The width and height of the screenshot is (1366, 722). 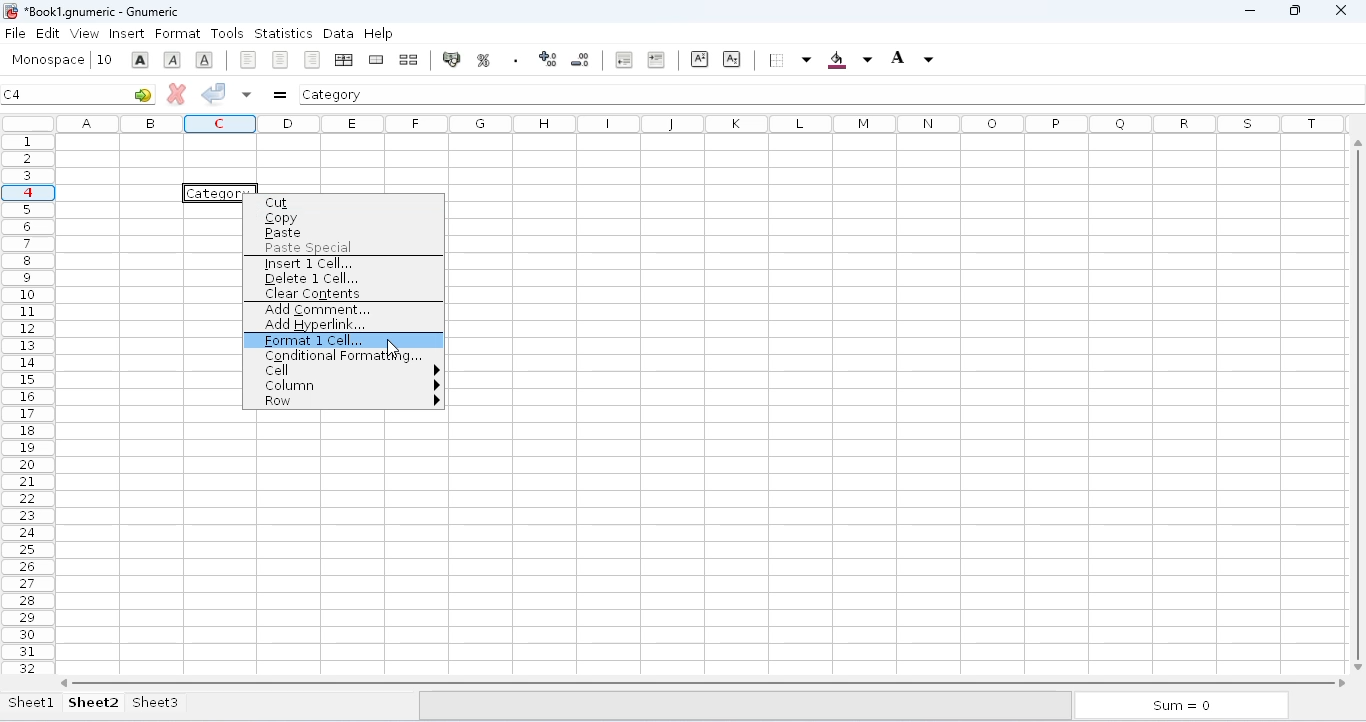 What do you see at coordinates (705, 683) in the screenshot?
I see `horizontal scroll bar` at bounding box center [705, 683].